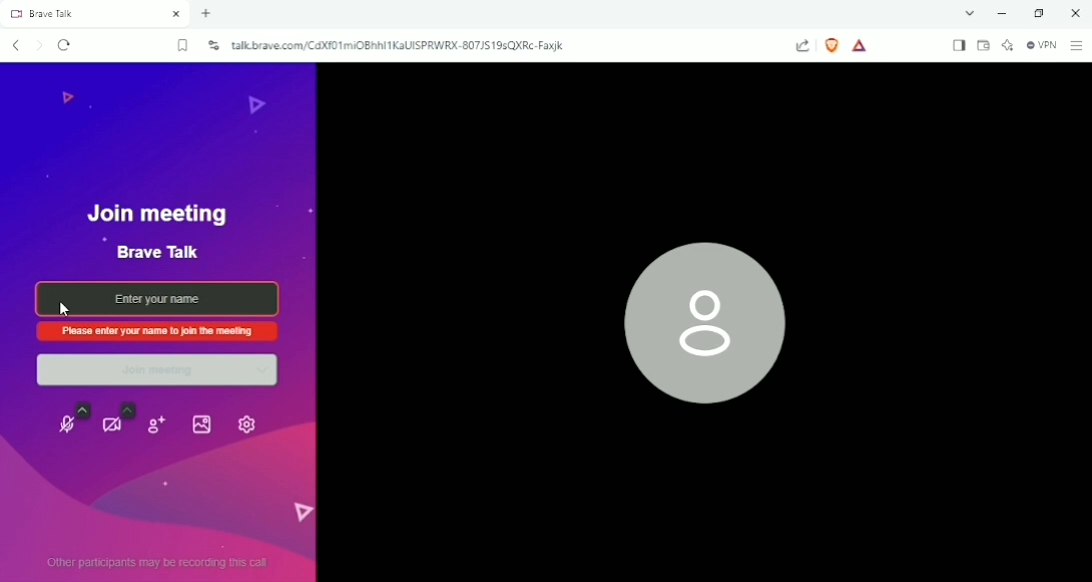 This screenshot has width=1092, height=582. What do you see at coordinates (157, 333) in the screenshot?
I see `Please enter your name to join the meeting` at bounding box center [157, 333].